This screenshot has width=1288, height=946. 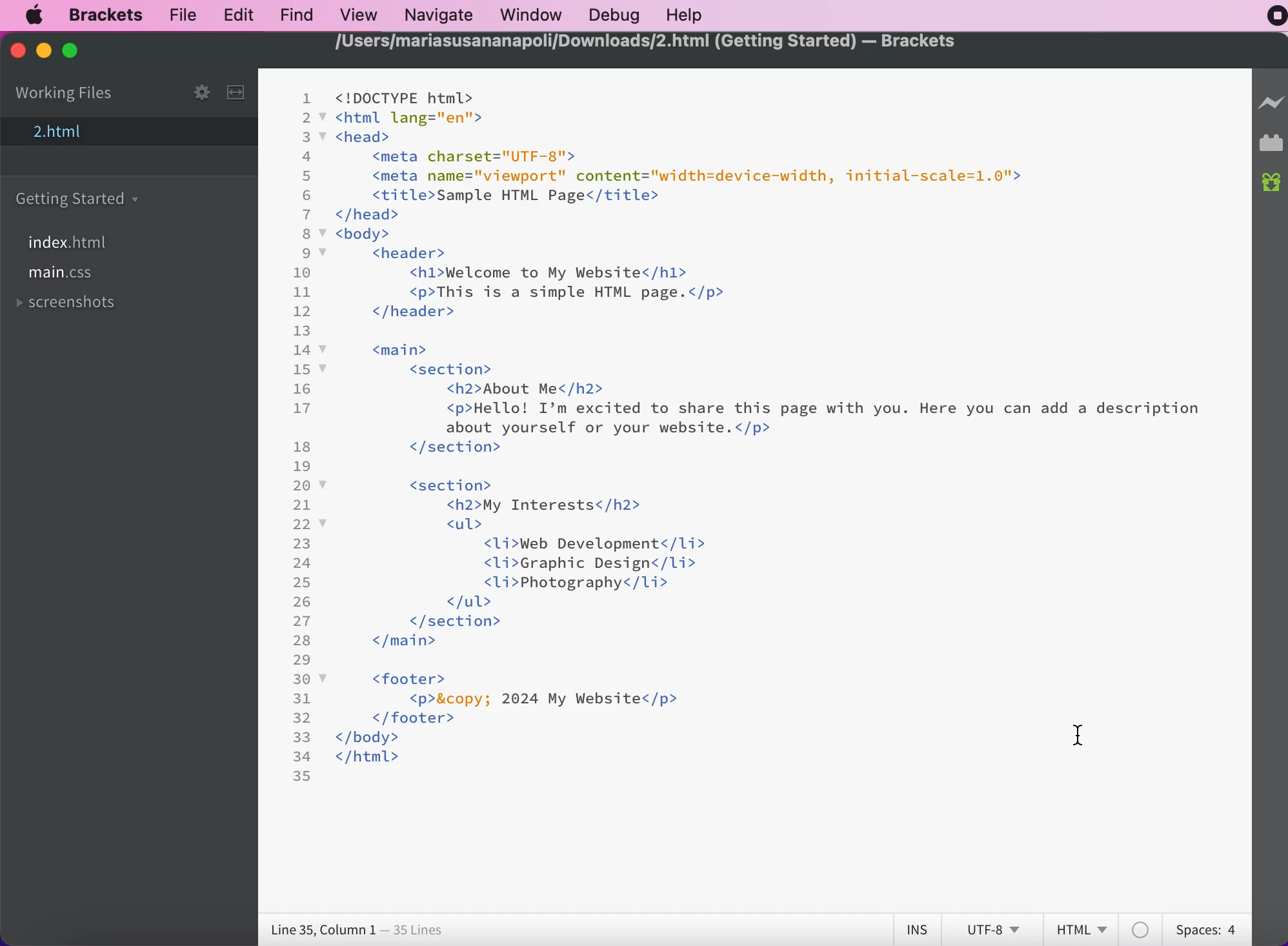 I want to click on color, so click(x=1141, y=927).